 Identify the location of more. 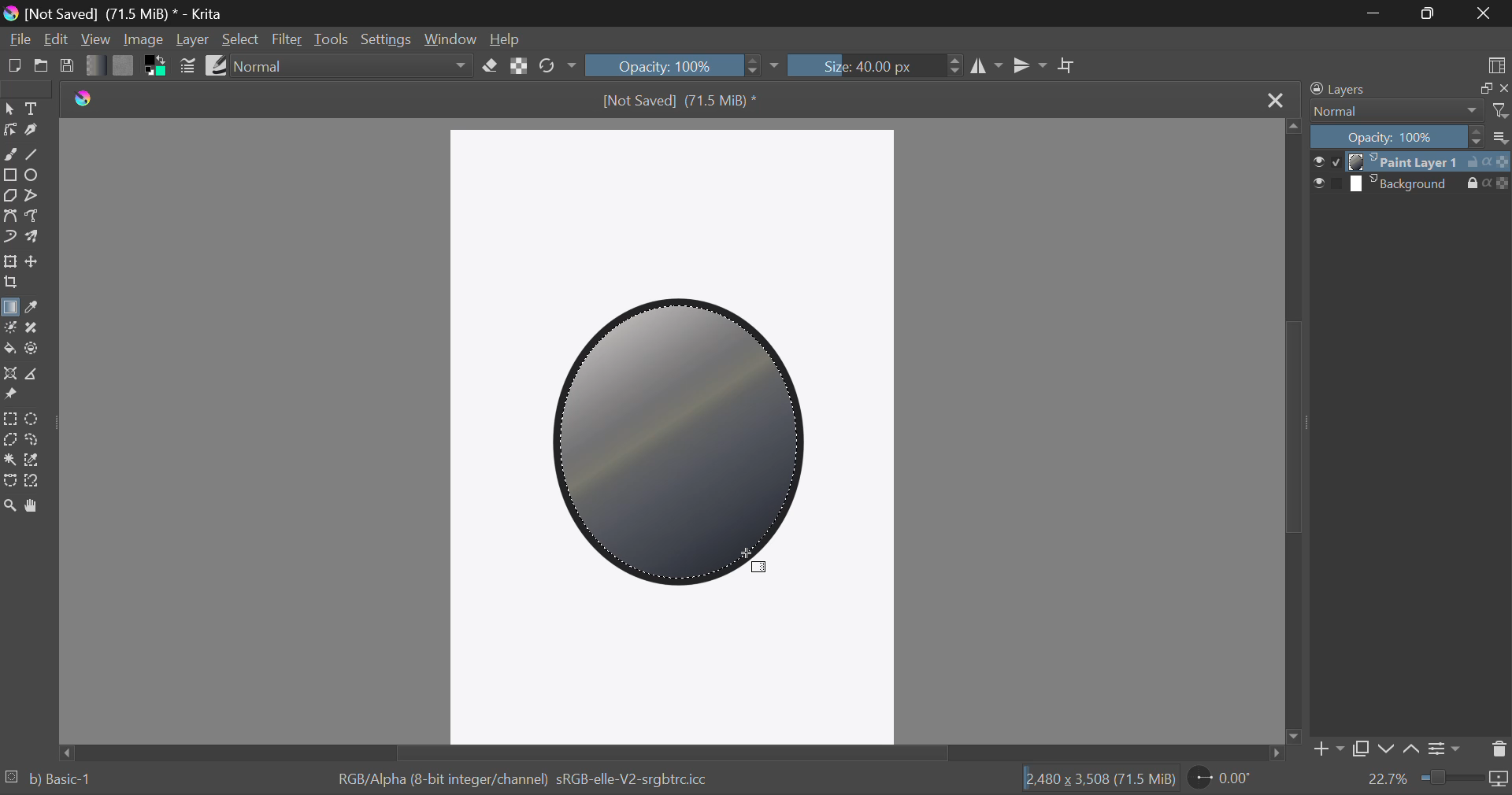
(1500, 138).